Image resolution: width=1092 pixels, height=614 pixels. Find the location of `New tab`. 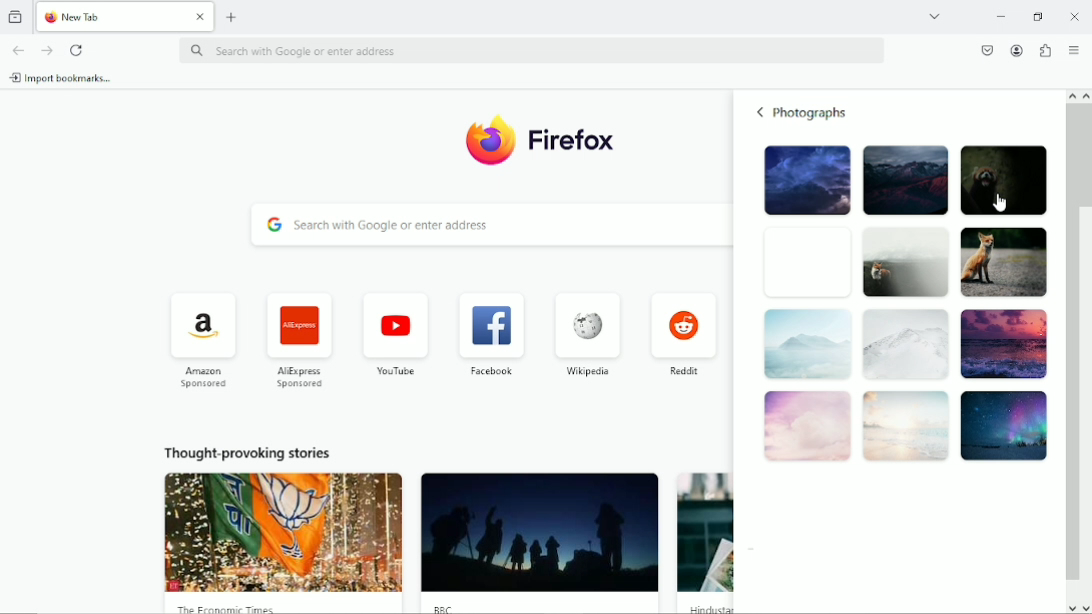

New tab is located at coordinates (233, 17).